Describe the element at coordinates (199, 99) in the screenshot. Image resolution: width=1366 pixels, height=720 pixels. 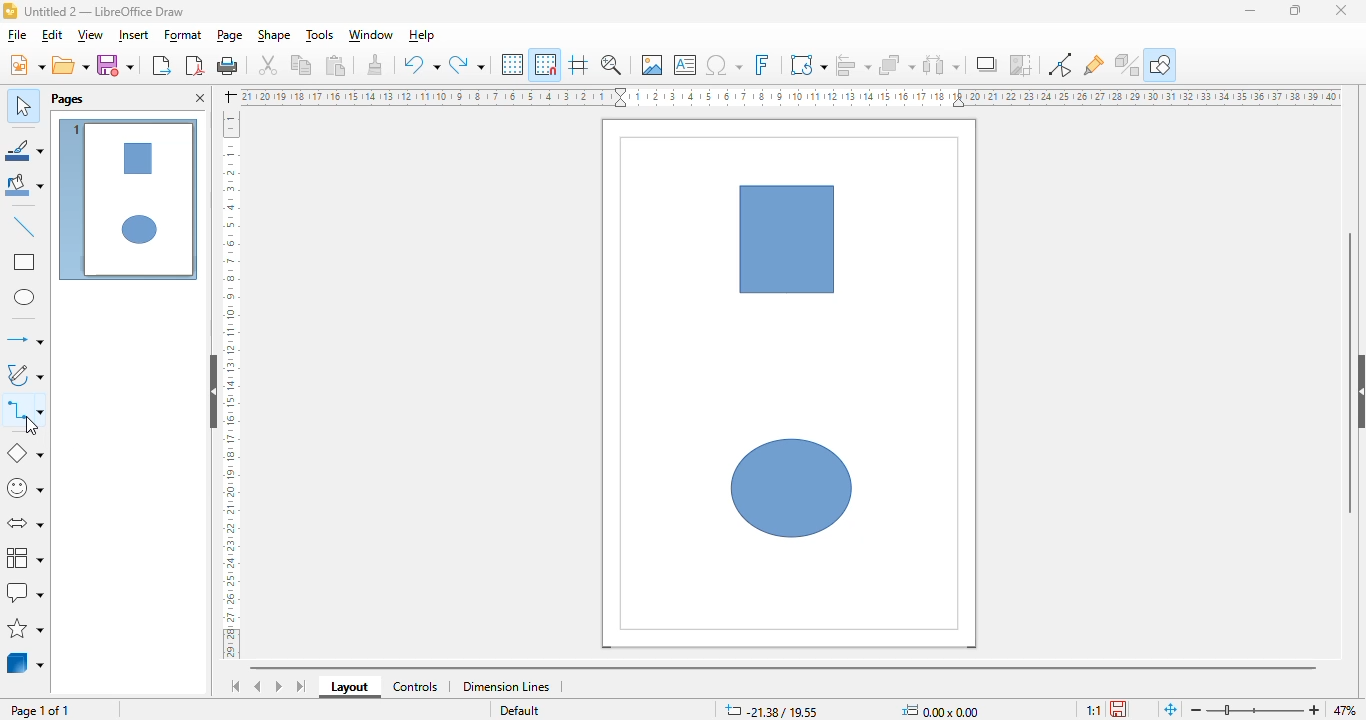
I see `close pane` at that location.